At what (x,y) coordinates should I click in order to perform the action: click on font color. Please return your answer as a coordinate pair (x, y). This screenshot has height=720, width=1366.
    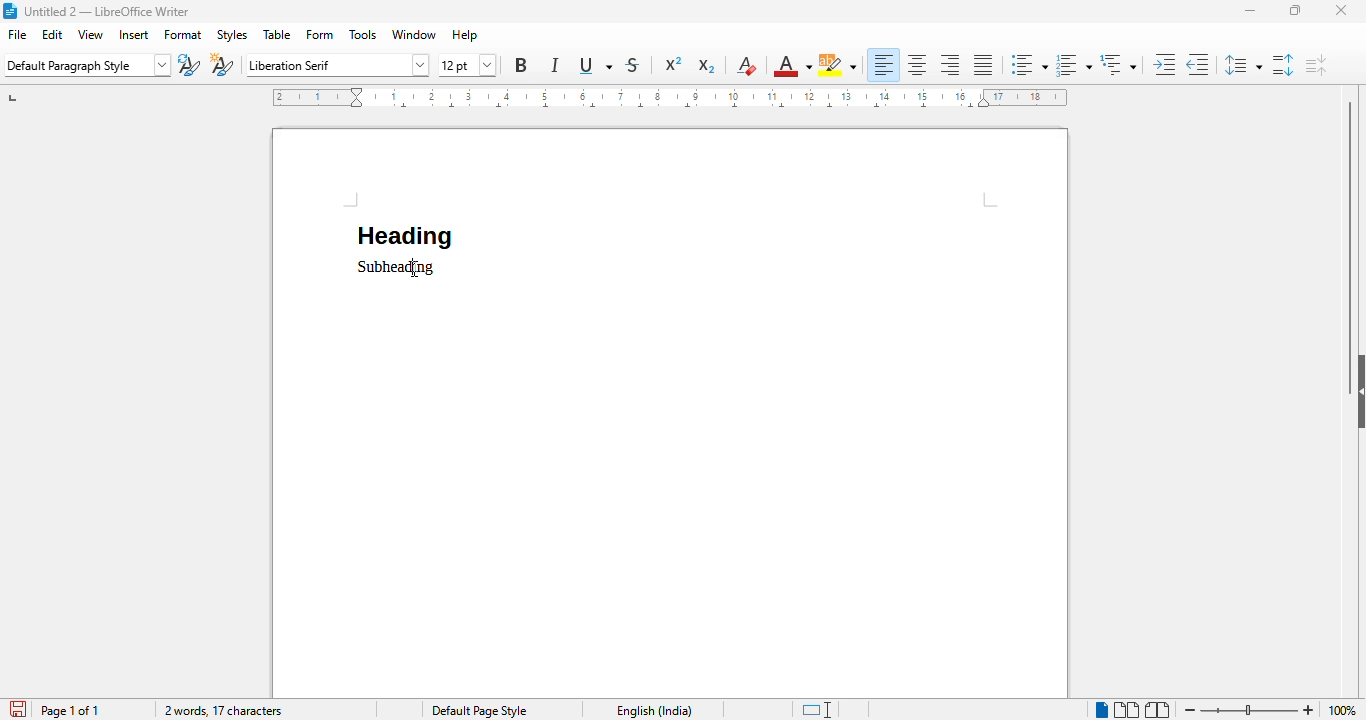
    Looking at the image, I should click on (791, 67).